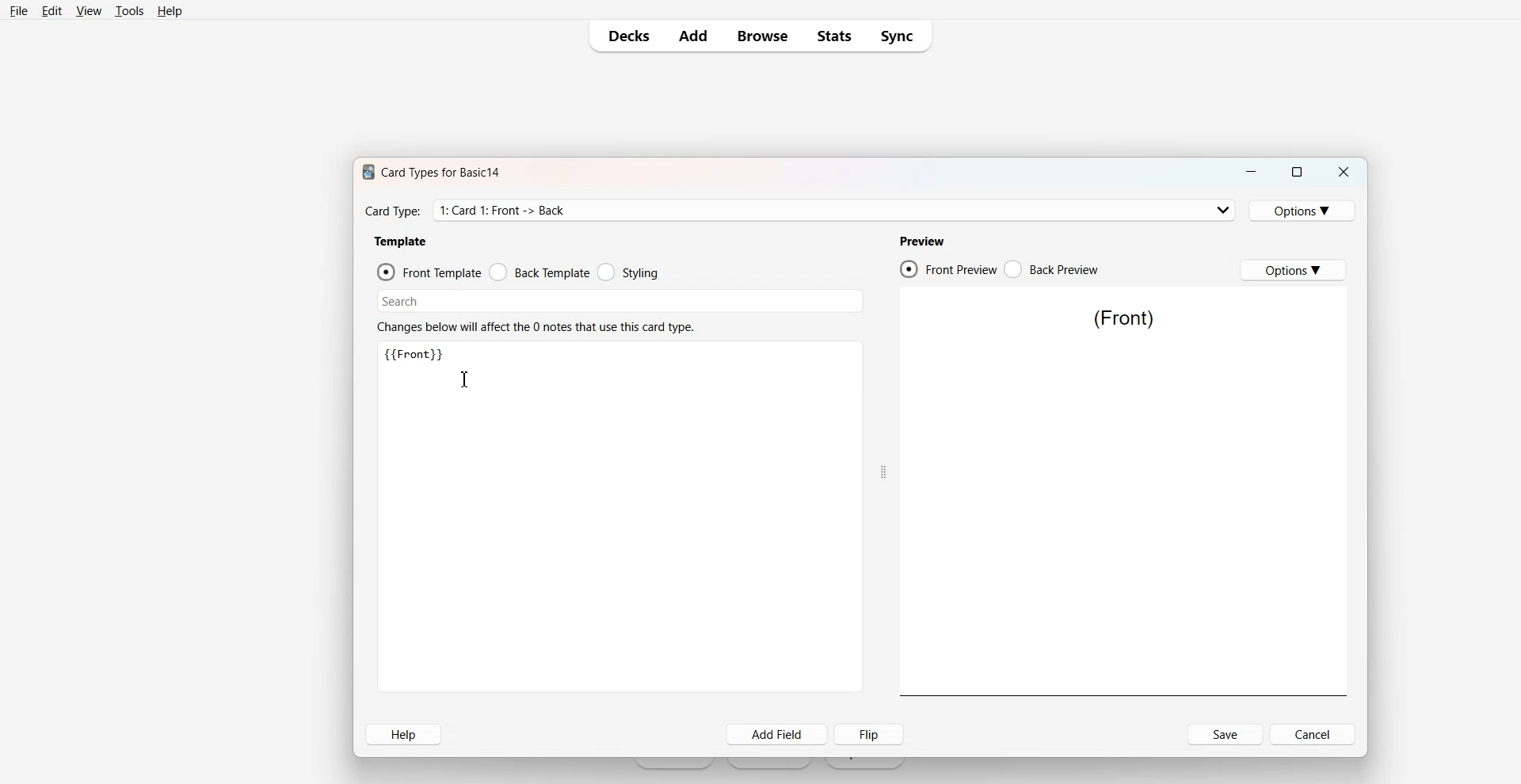 Image resolution: width=1521 pixels, height=784 pixels. I want to click on Import File, so click(865, 764).